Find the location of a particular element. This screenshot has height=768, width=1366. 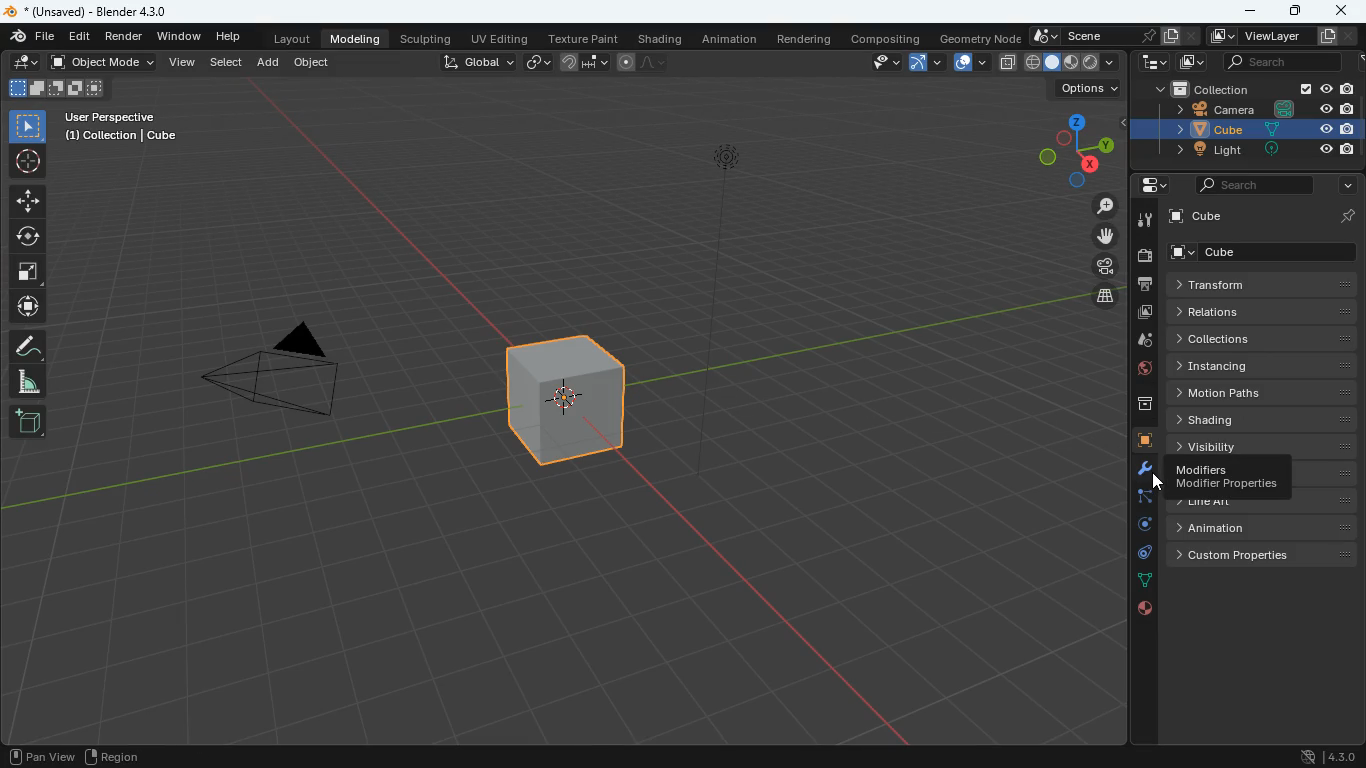

dots is located at coordinates (1145, 583).